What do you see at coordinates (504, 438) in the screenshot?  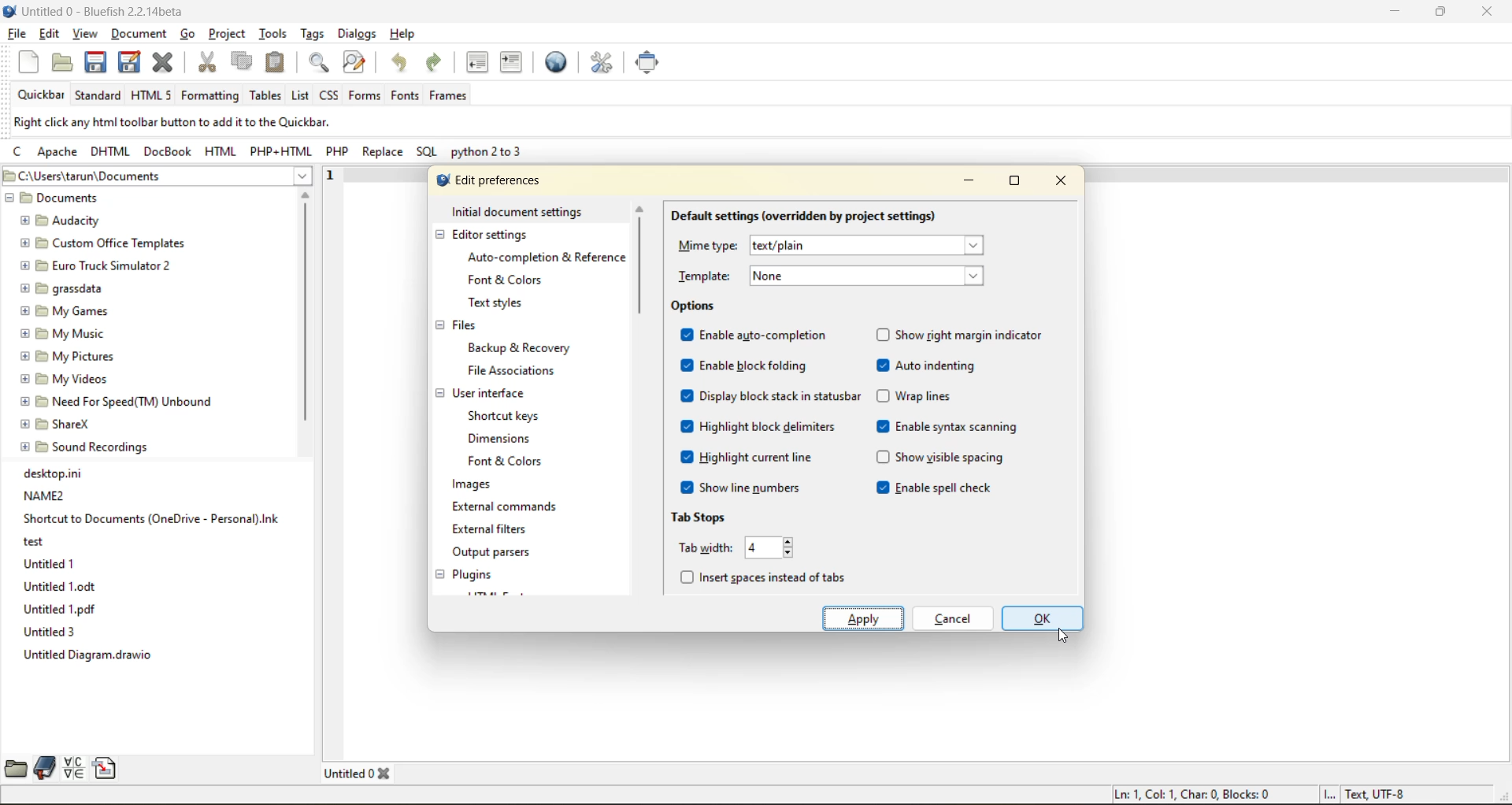 I see `dimensions` at bounding box center [504, 438].